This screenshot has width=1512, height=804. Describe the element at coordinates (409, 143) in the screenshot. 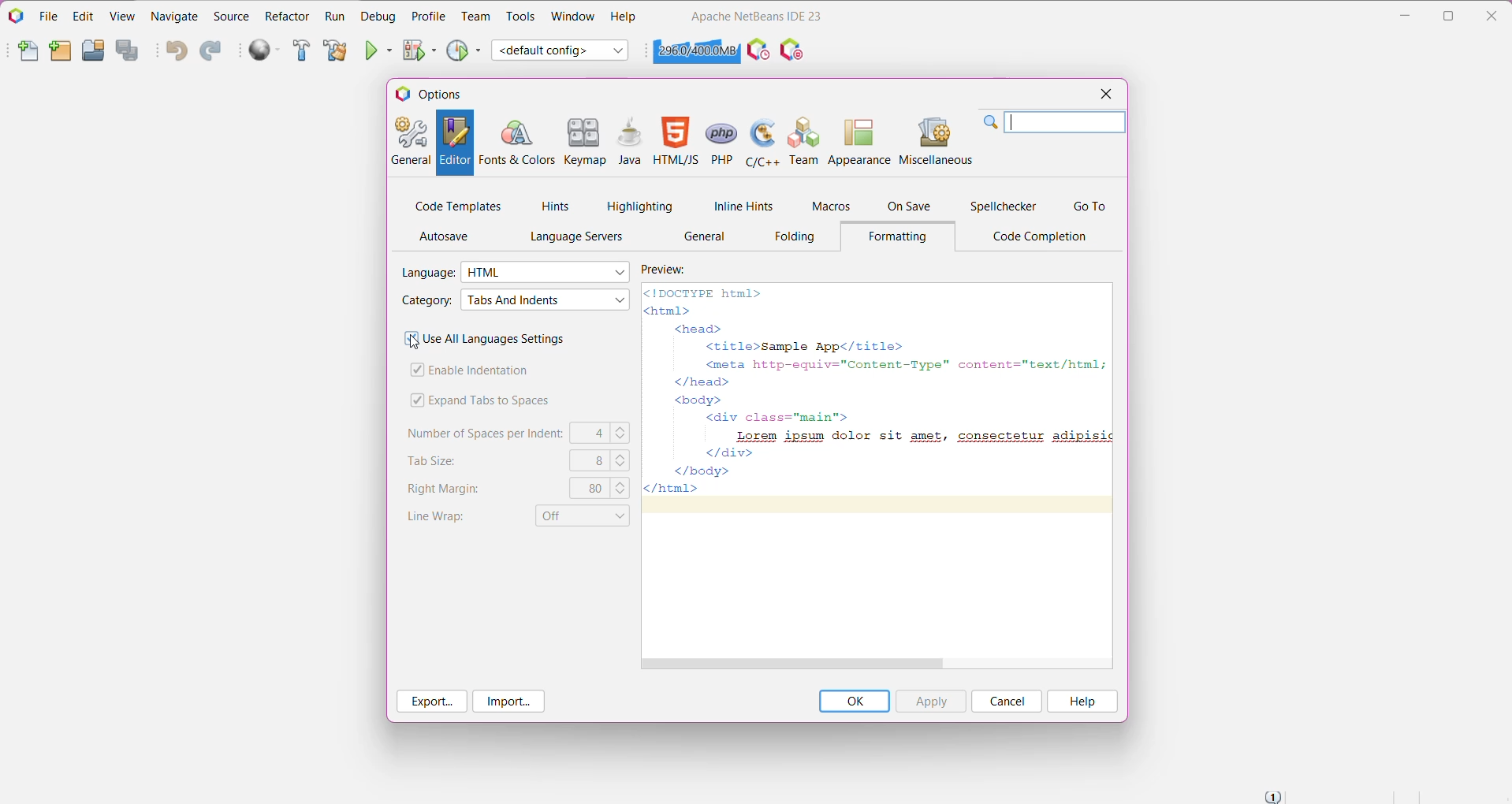

I see `General` at that location.